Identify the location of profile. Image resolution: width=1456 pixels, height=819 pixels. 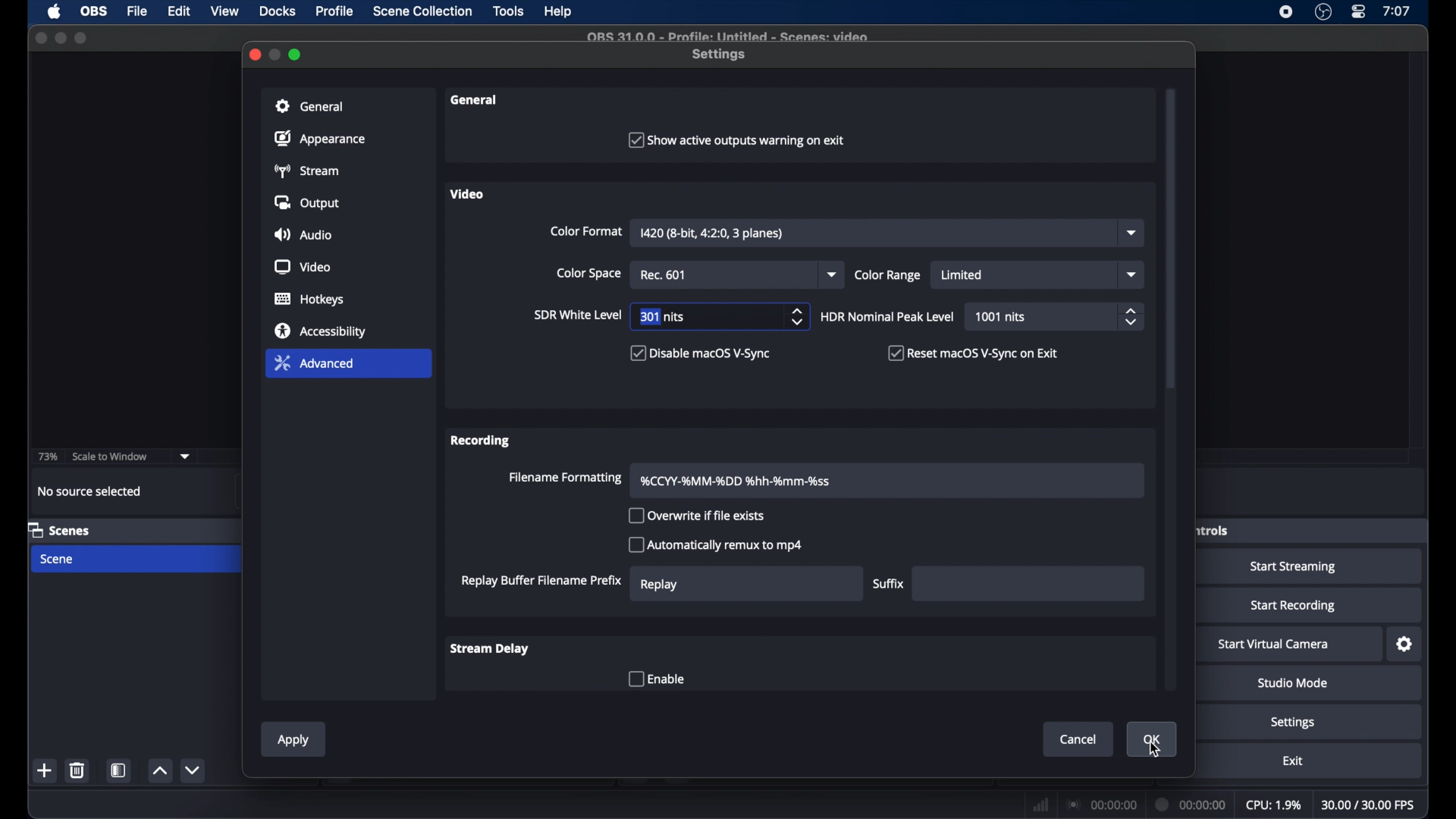
(337, 12).